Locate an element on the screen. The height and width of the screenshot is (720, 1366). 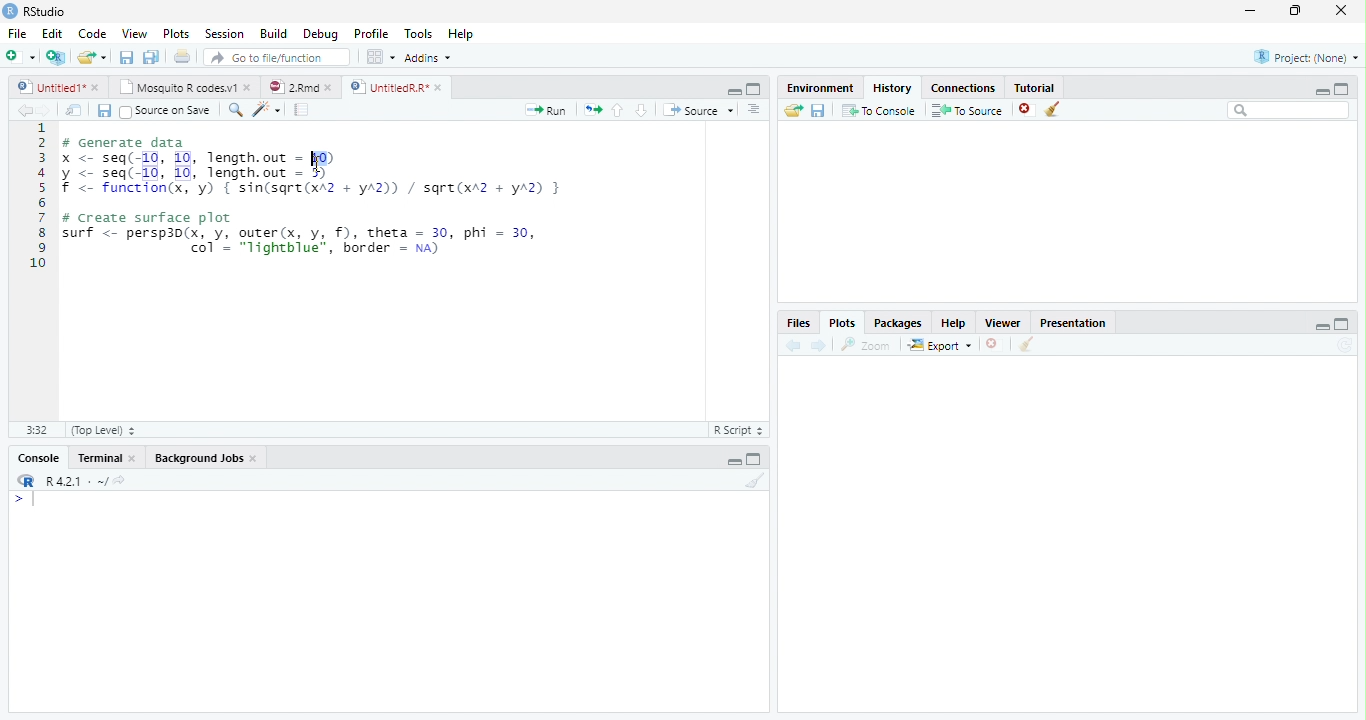
Terminal is located at coordinates (99, 458).